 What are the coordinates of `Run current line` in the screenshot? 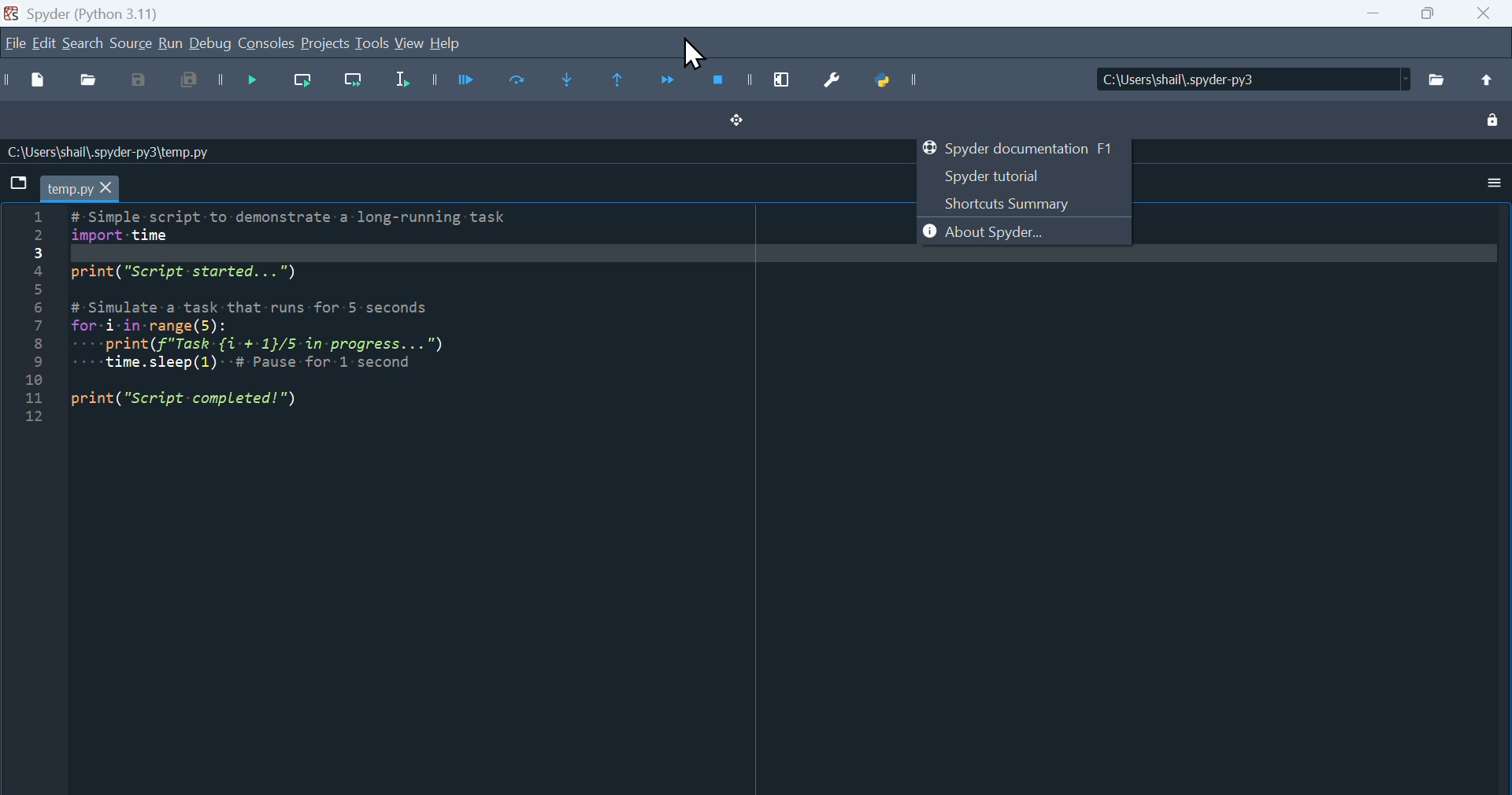 It's located at (303, 85).